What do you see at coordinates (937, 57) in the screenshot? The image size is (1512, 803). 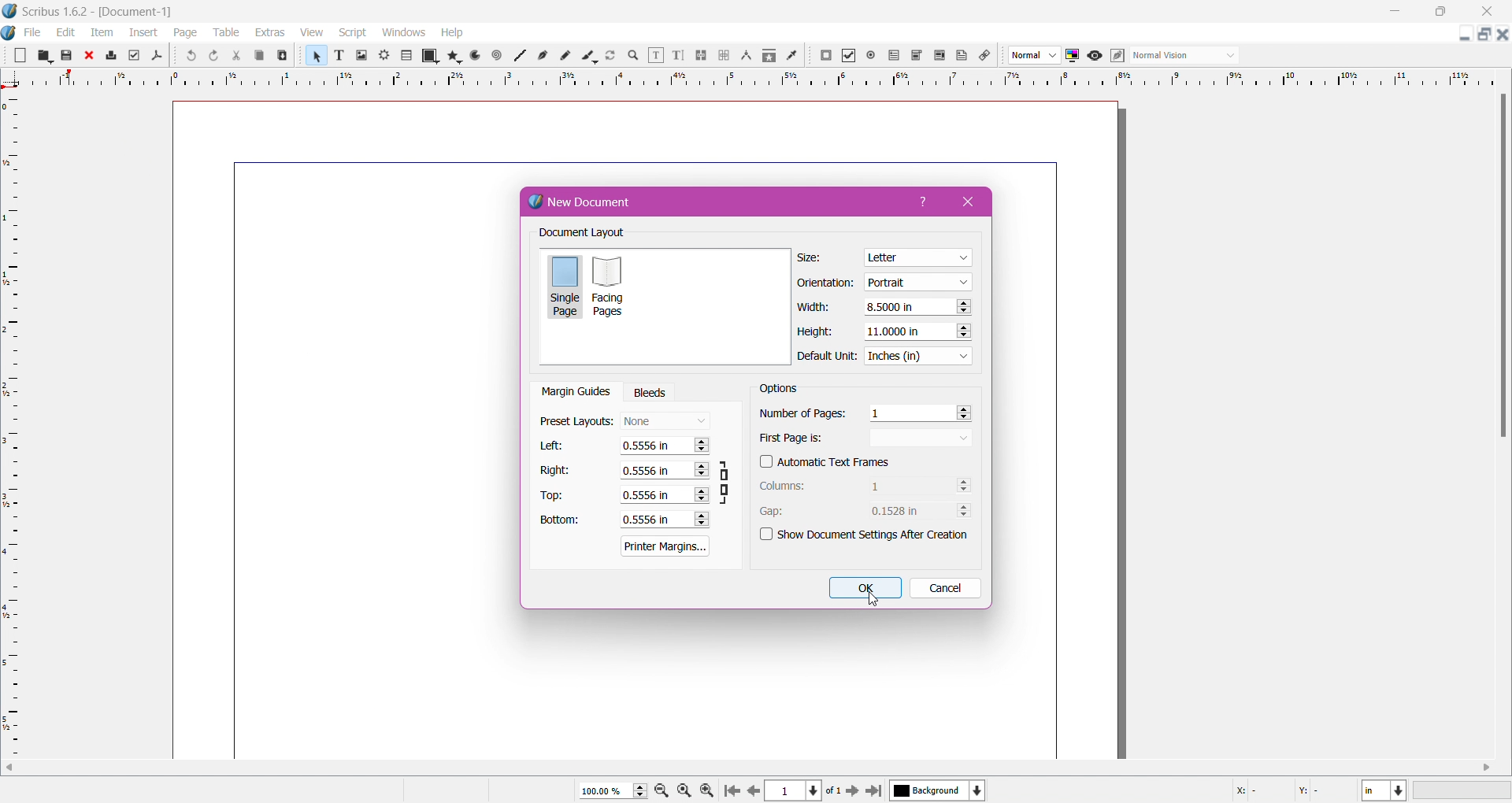 I see `icon` at bounding box center [937, 57].